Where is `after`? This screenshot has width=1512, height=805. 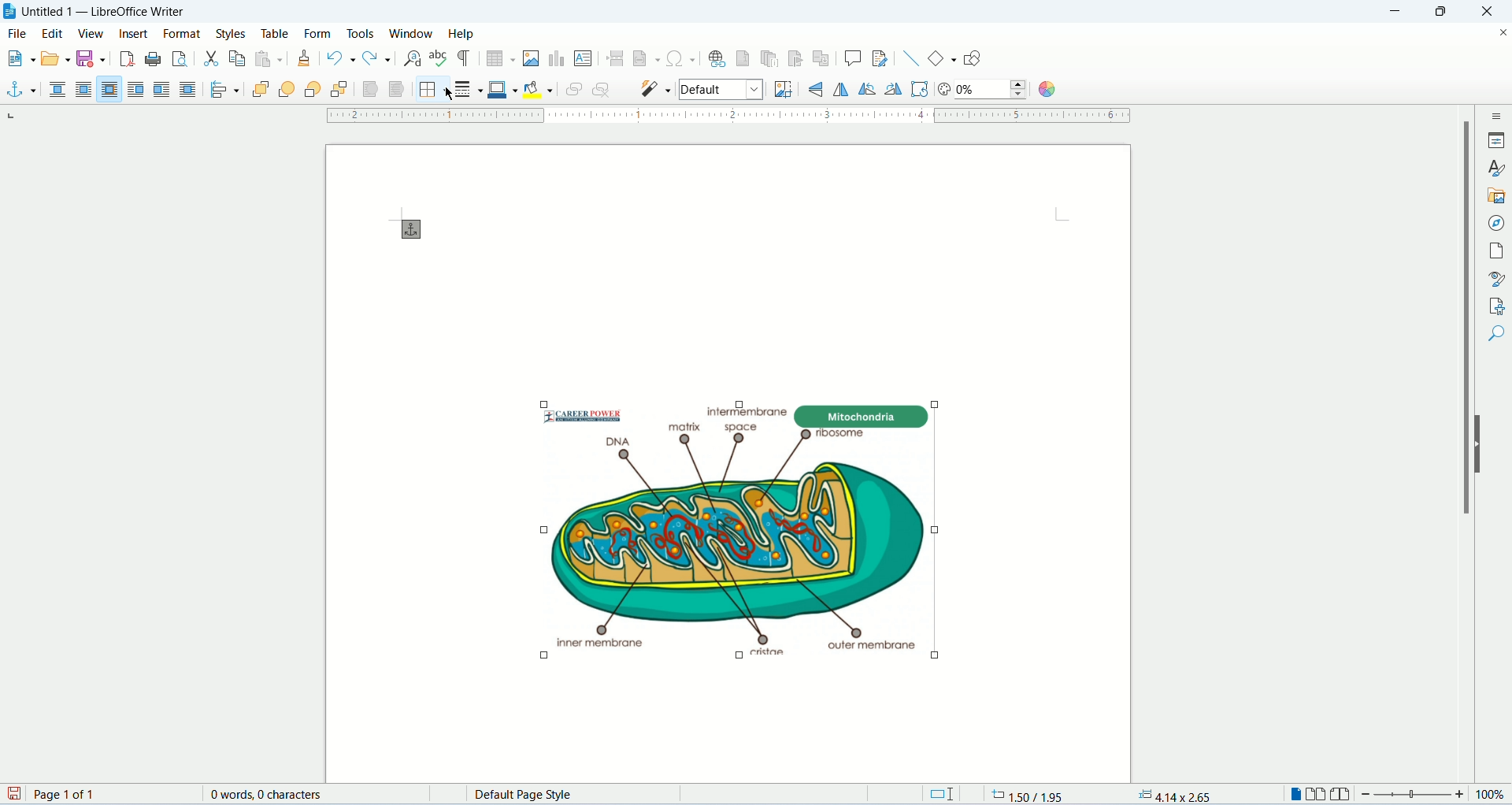 after is located at coordinates (162, 90).